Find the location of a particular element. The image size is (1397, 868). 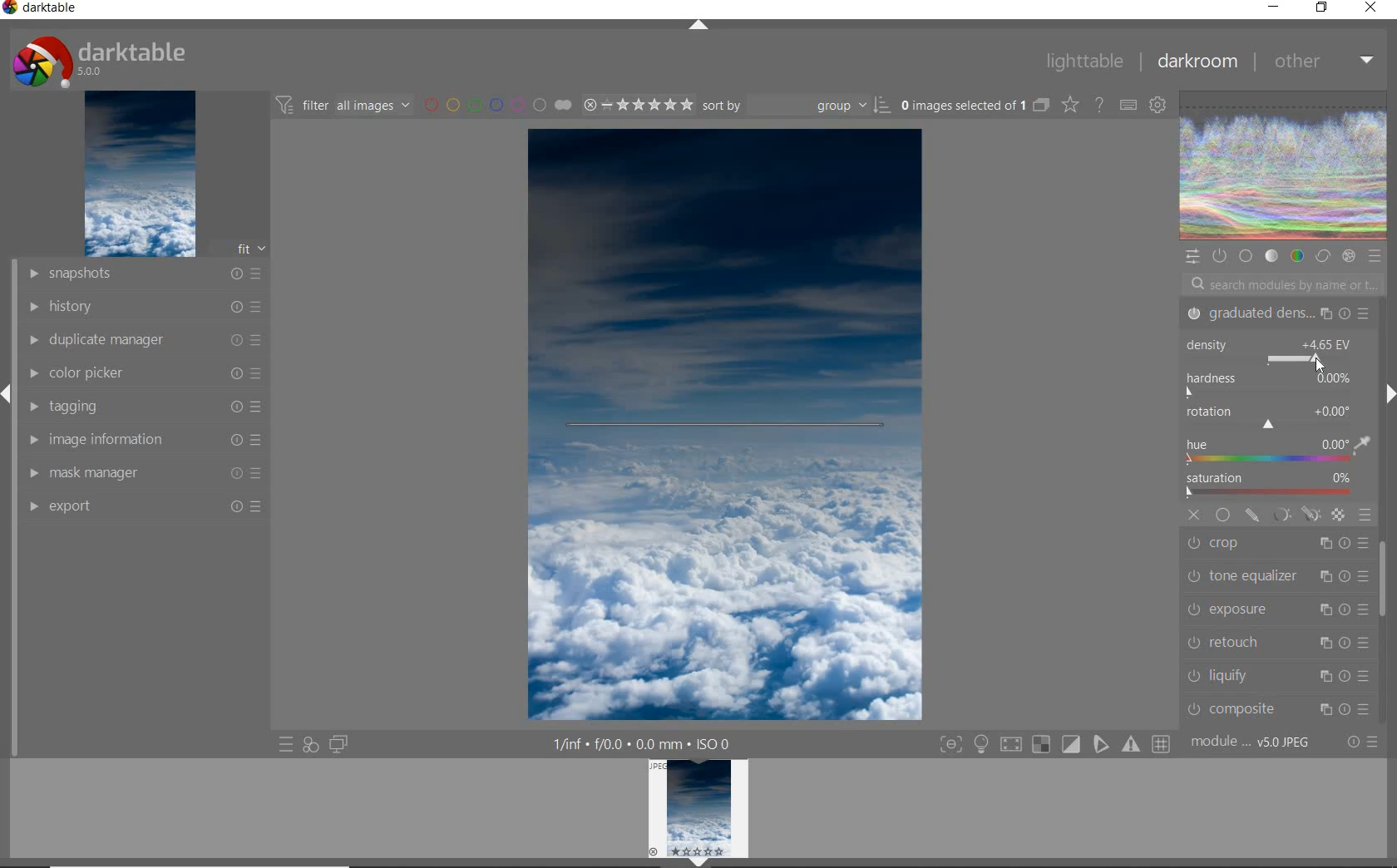

ENABLE FOR ONLINE HELP is located at coordinates (1098, 104).